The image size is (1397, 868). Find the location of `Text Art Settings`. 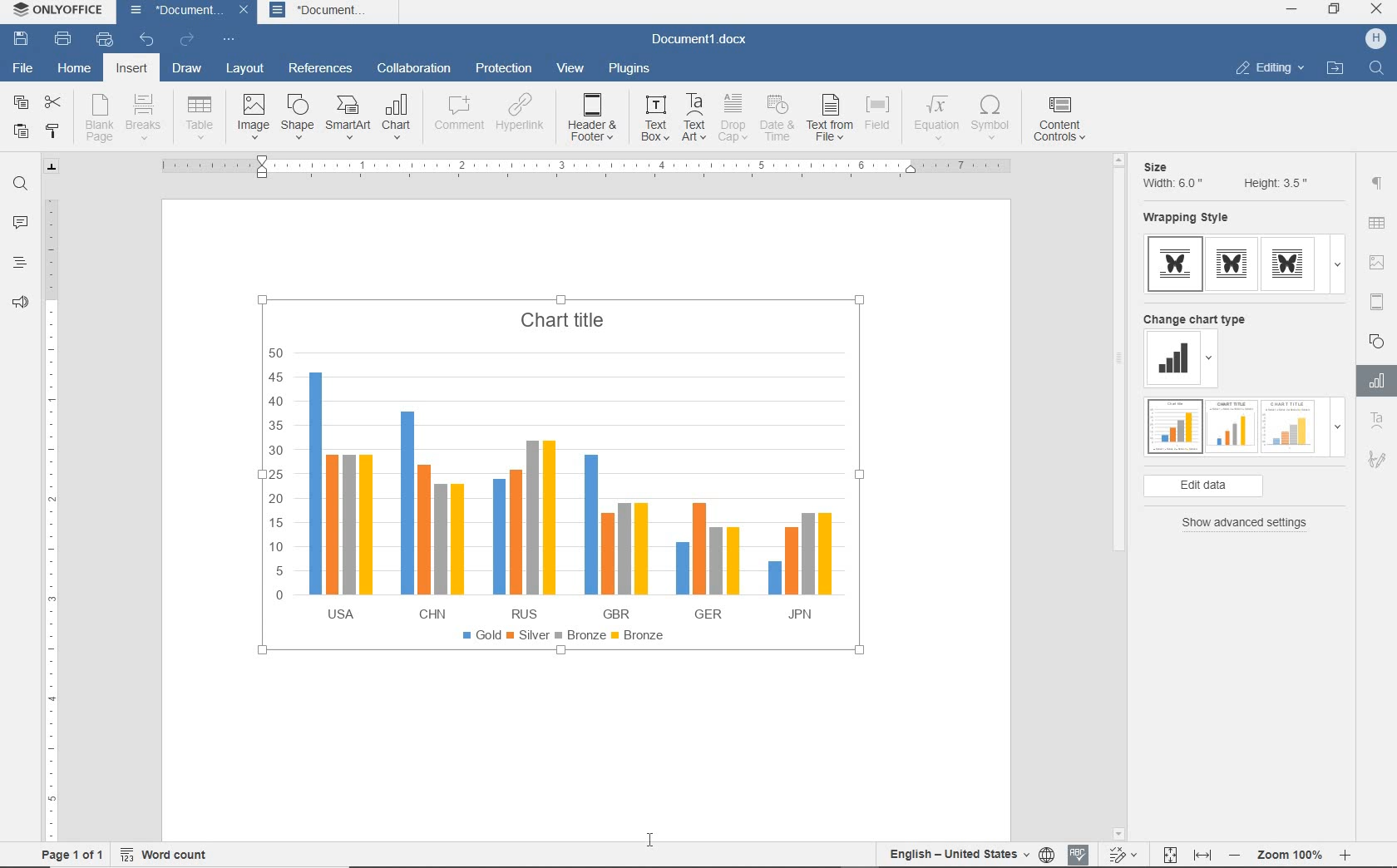

Text Art Settings is located at coordinates (1375, 422).